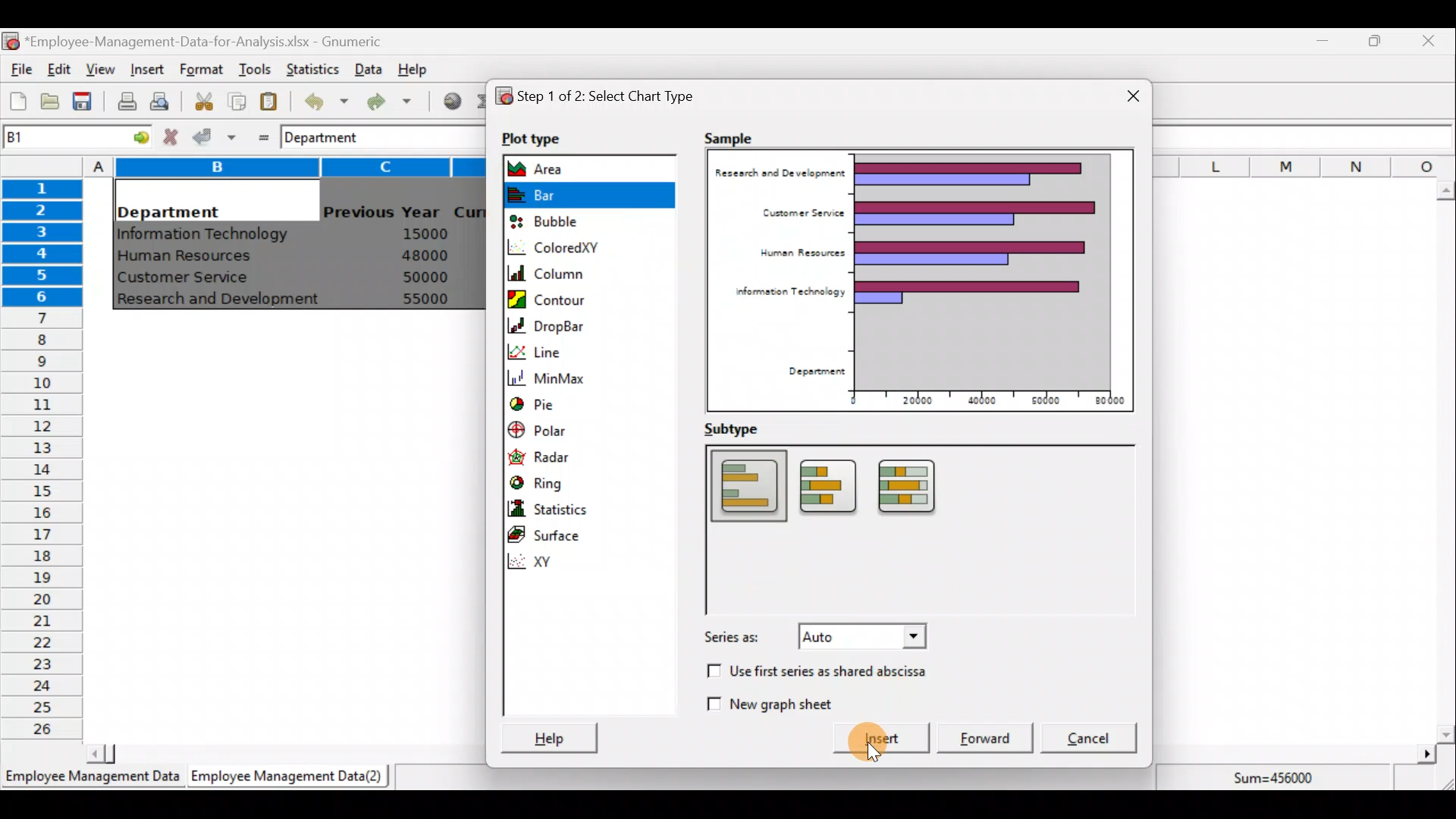 Image resolution: width=1456 pixels, height=819 pixels. Describe the element at coordinates (254, 71) in the screenshot. I see `Tools` at that location.